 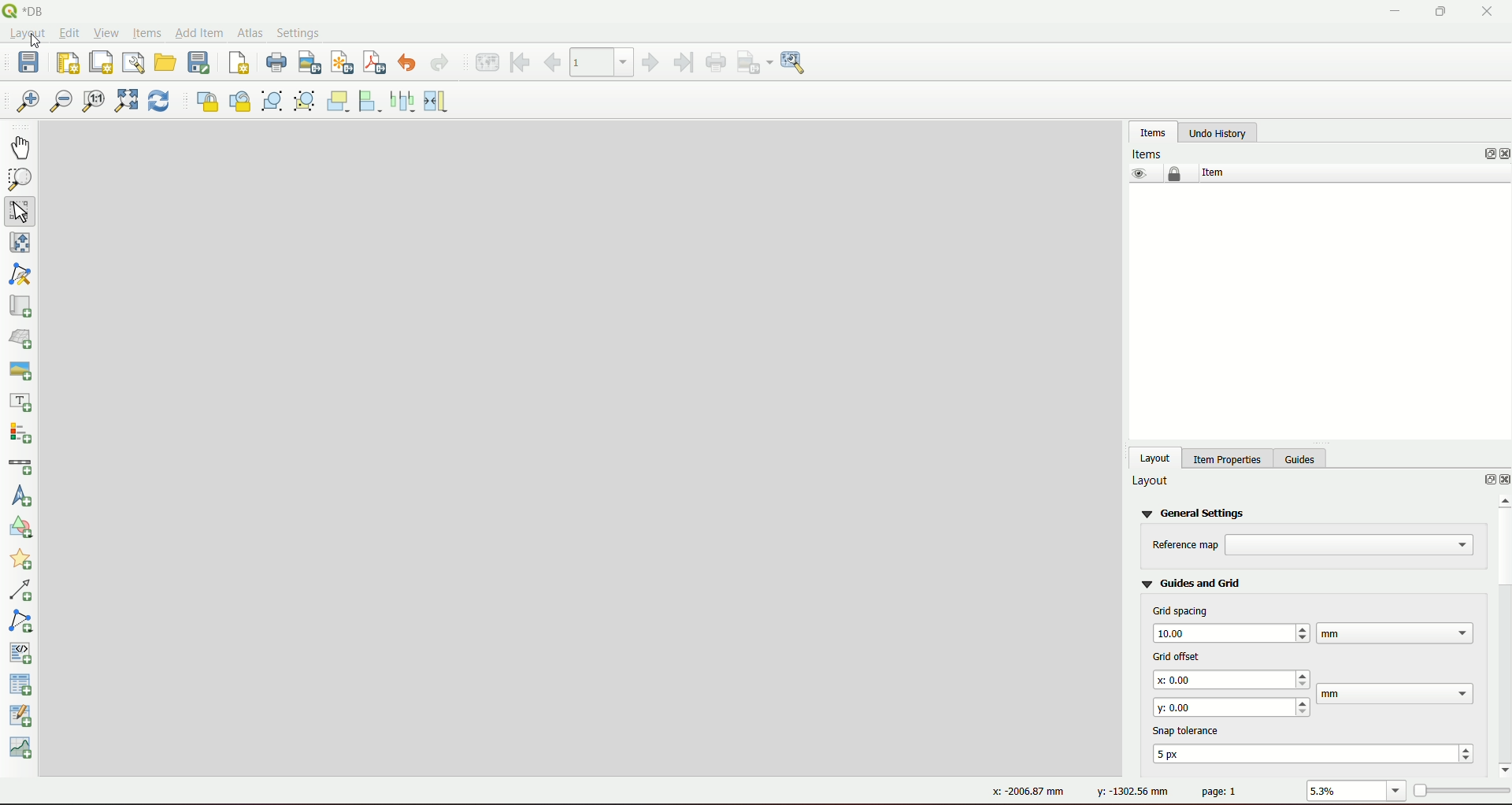 What do you see at coordinates (797, 63) in the screenshot?
I see `image settings` at bounding box center [797, 63].